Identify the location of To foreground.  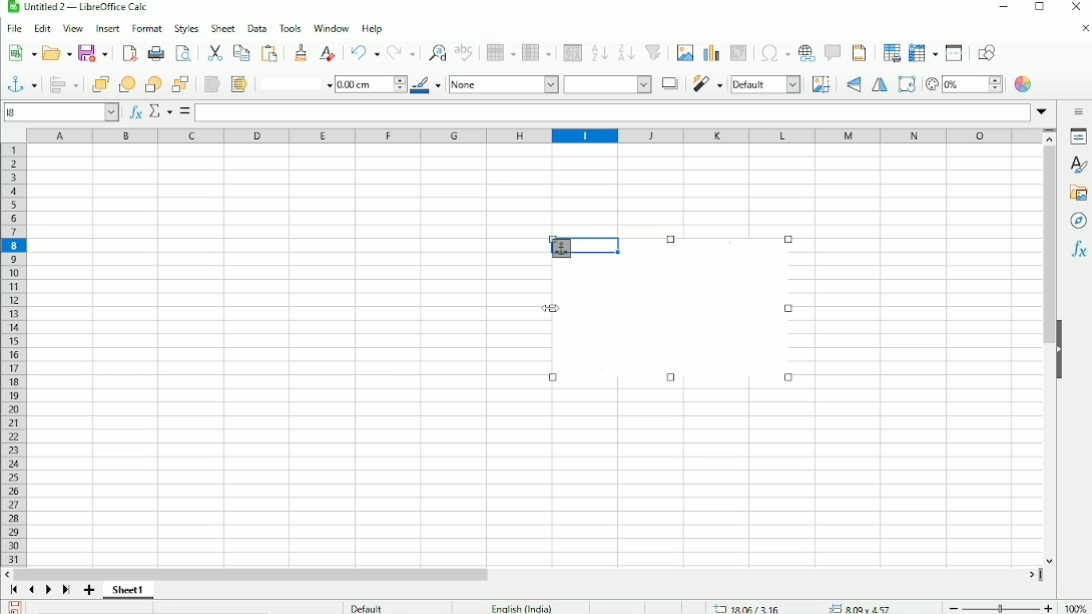
(211, 84).